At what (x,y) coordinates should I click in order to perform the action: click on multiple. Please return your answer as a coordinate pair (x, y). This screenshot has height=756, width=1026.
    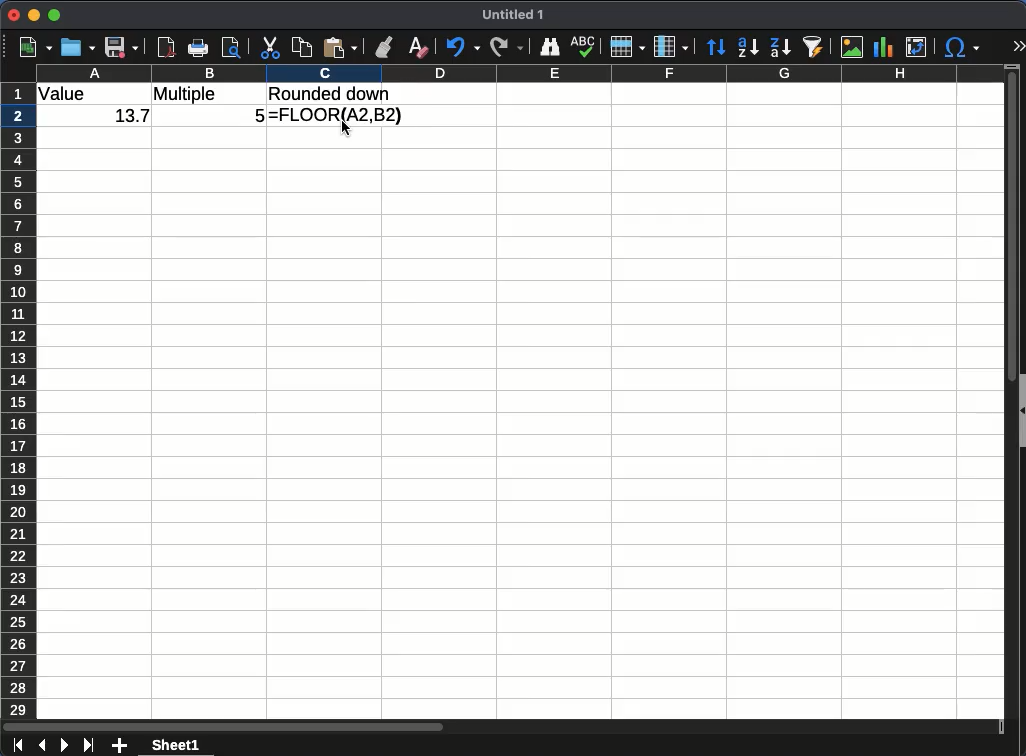
    Looking at the image, I should click on (188, 94).